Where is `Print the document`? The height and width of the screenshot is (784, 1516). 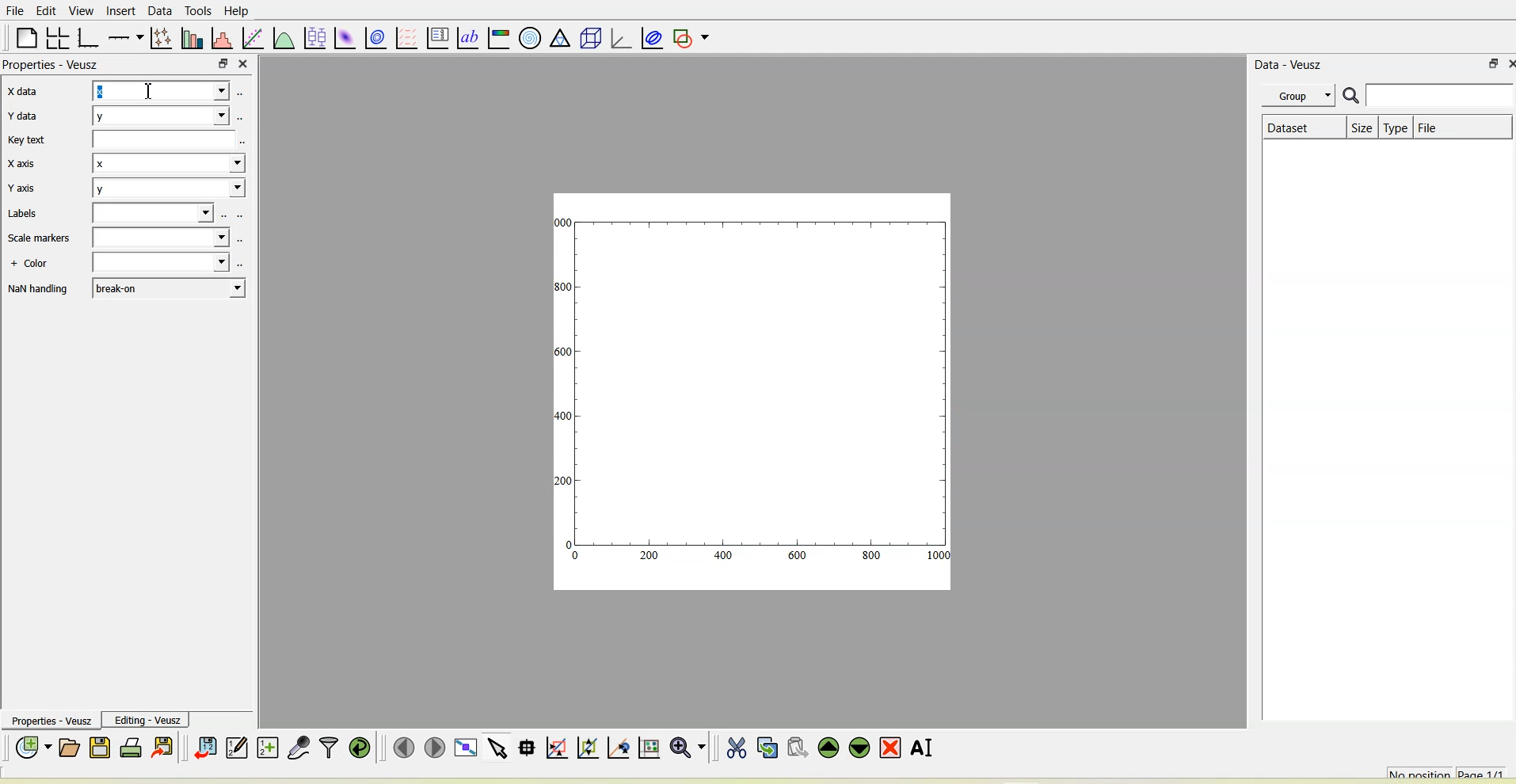 Print the document is located at coordinates (131, 747).